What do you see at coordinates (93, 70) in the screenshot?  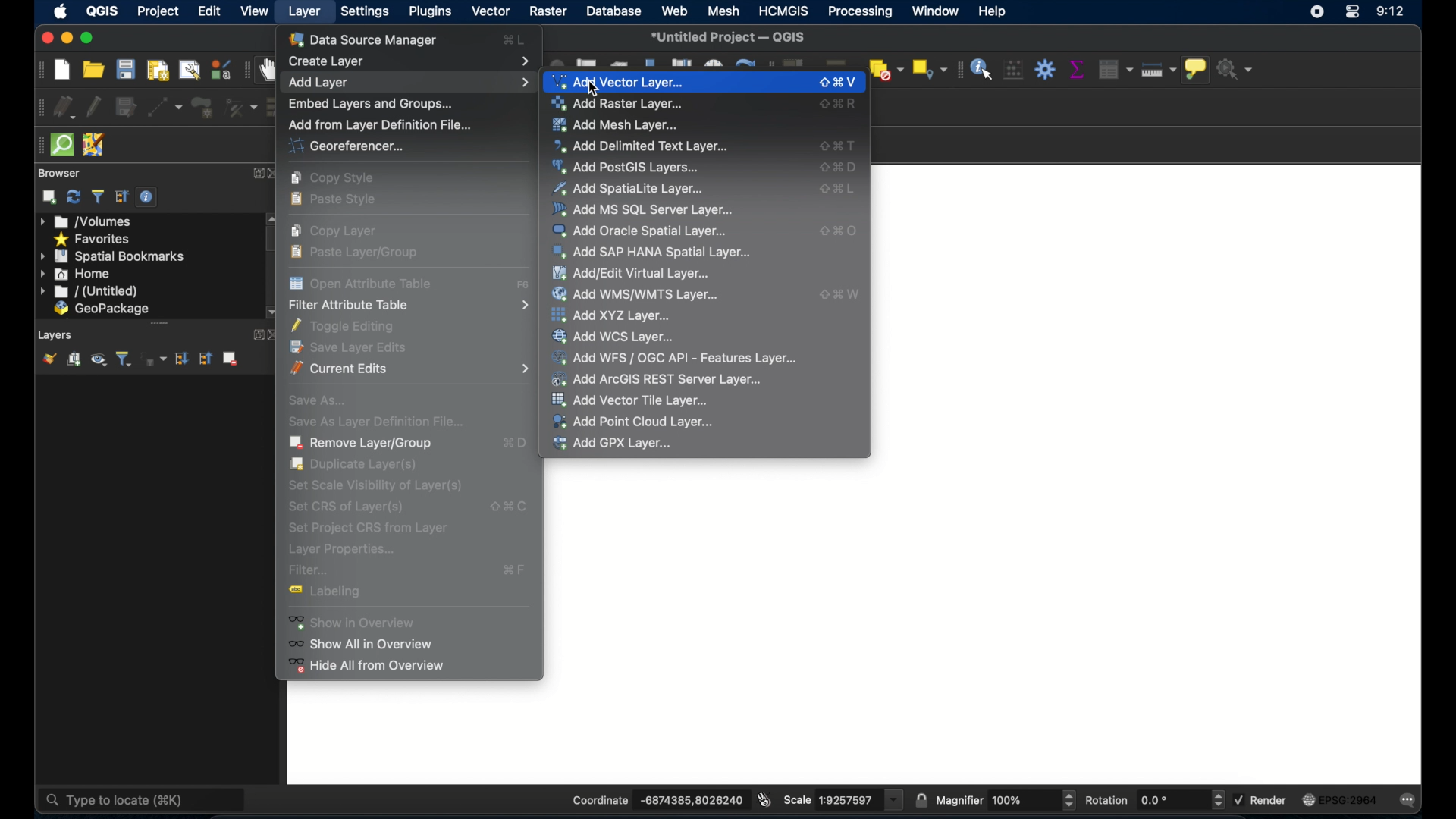 I see `open project` at bounding box center [93, 70].